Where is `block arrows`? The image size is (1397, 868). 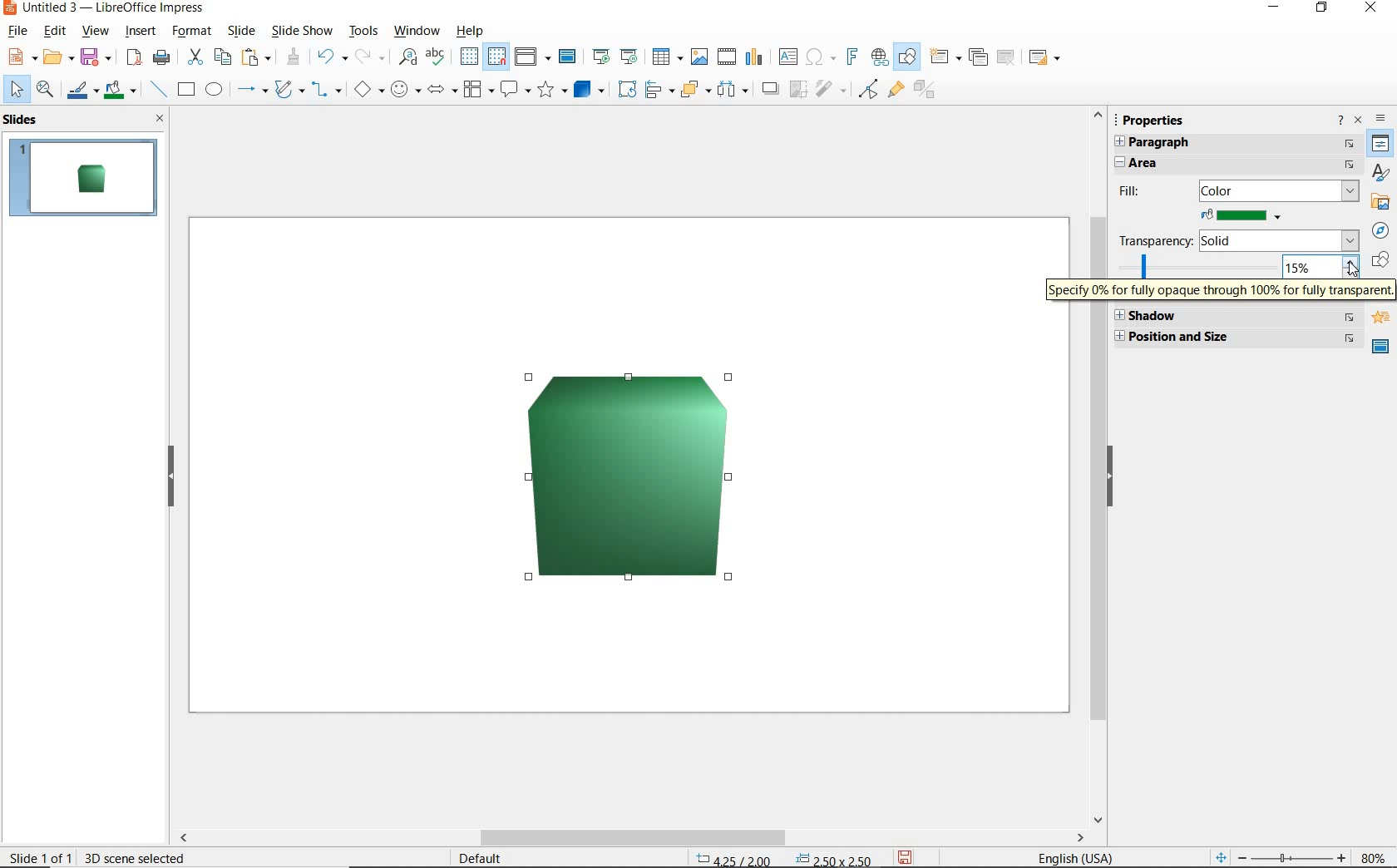 block arrows is located at coordinates (442, 89).